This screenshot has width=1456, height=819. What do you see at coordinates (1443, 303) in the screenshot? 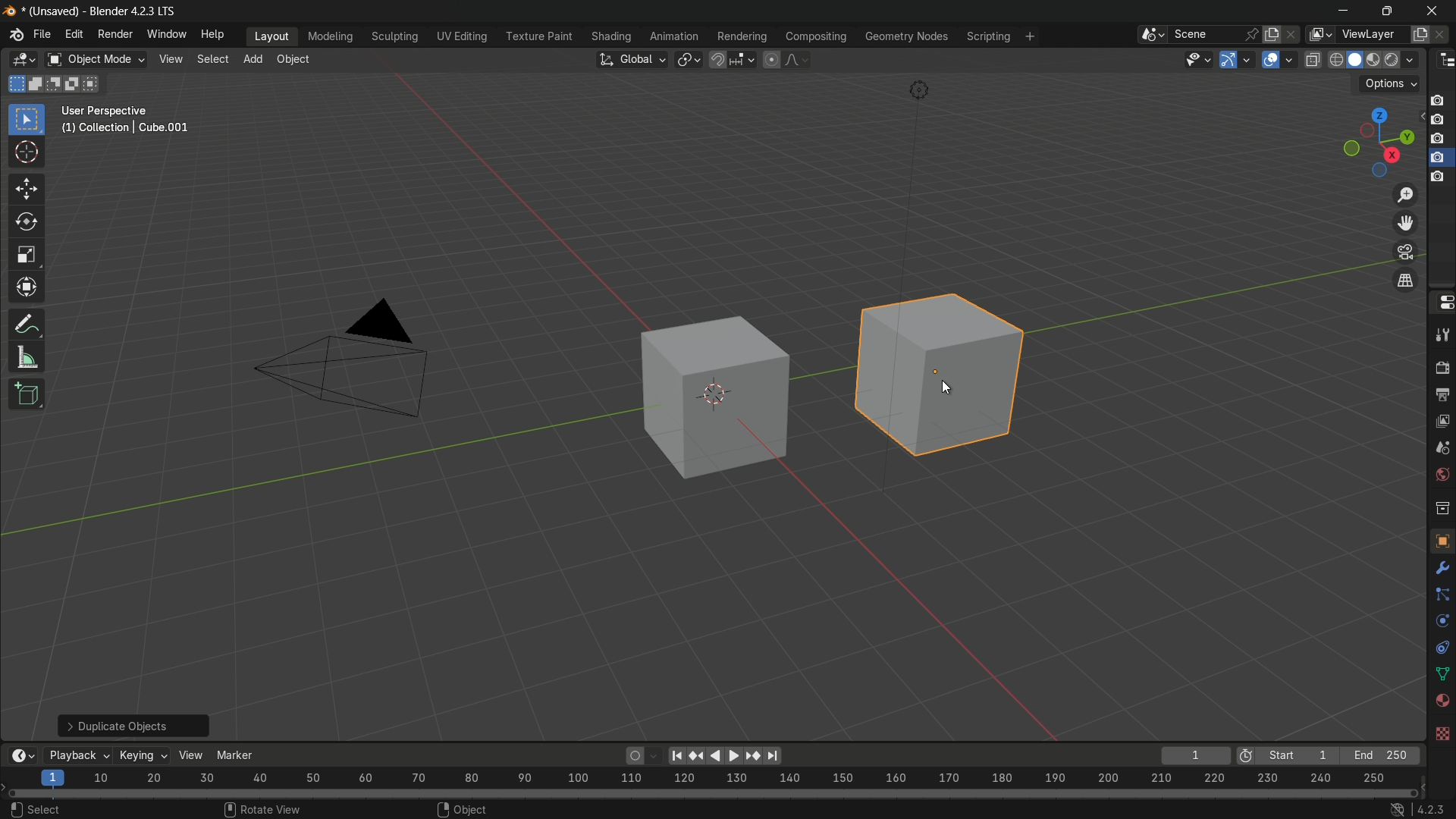
I see `properties` at bounding box center [1443, 303].